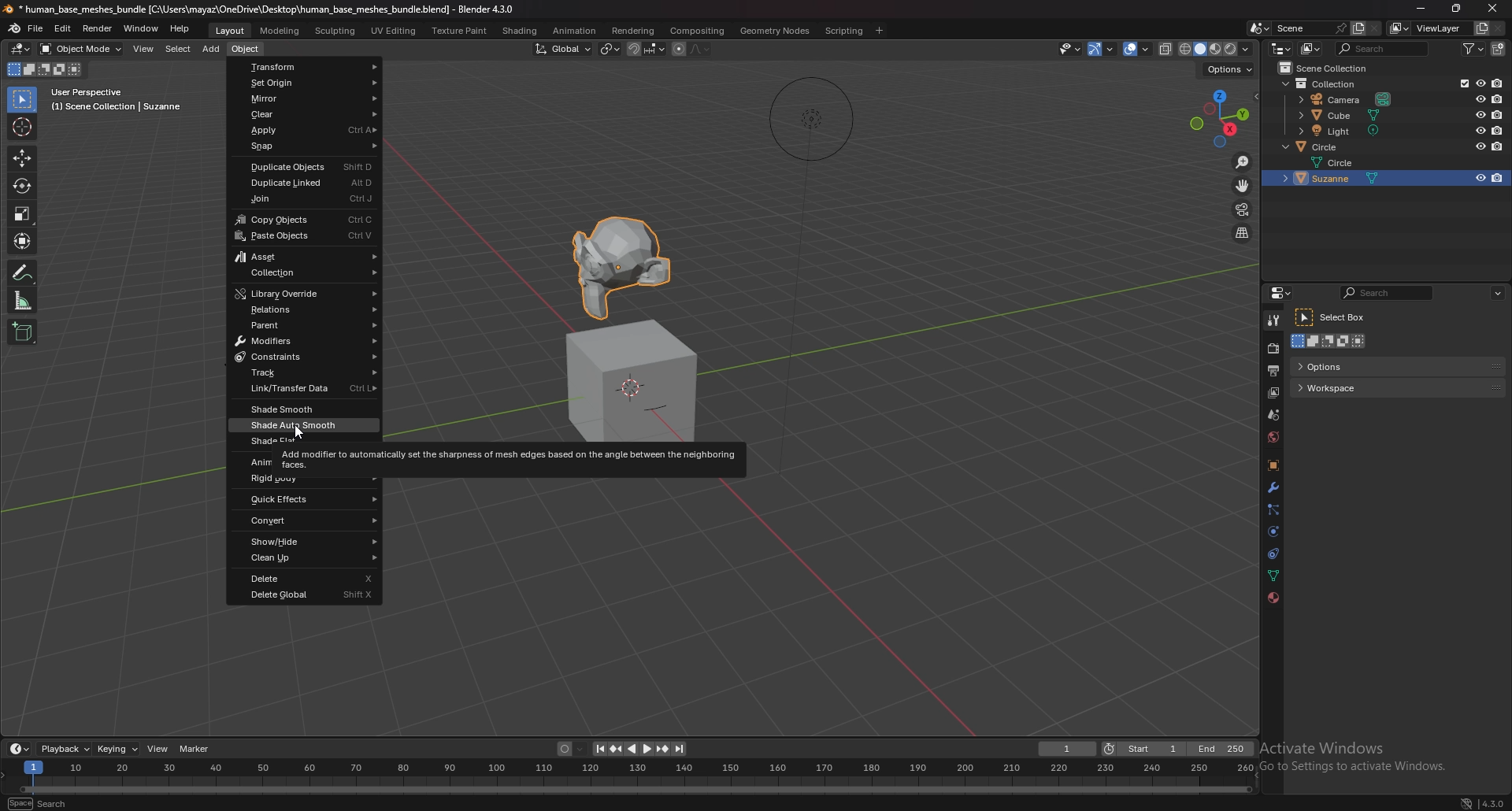 The image size is (1512, 811). What do you see at coordinates (1355, 28) in the screenshot?
I see `add scene` at bounding box center [1355, 28].